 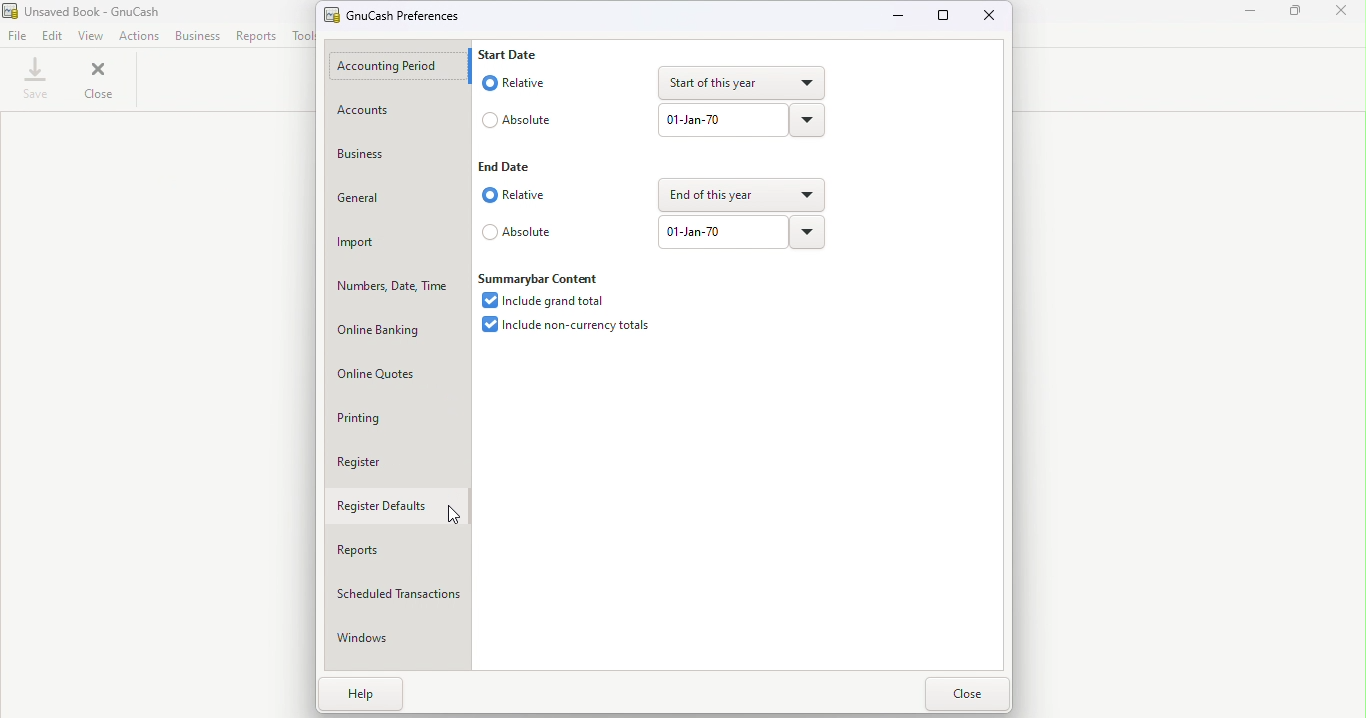 What do you see at coordinates (742, 83) in the screenshot?
I see `Drop down` at bounding box center [742, 83].